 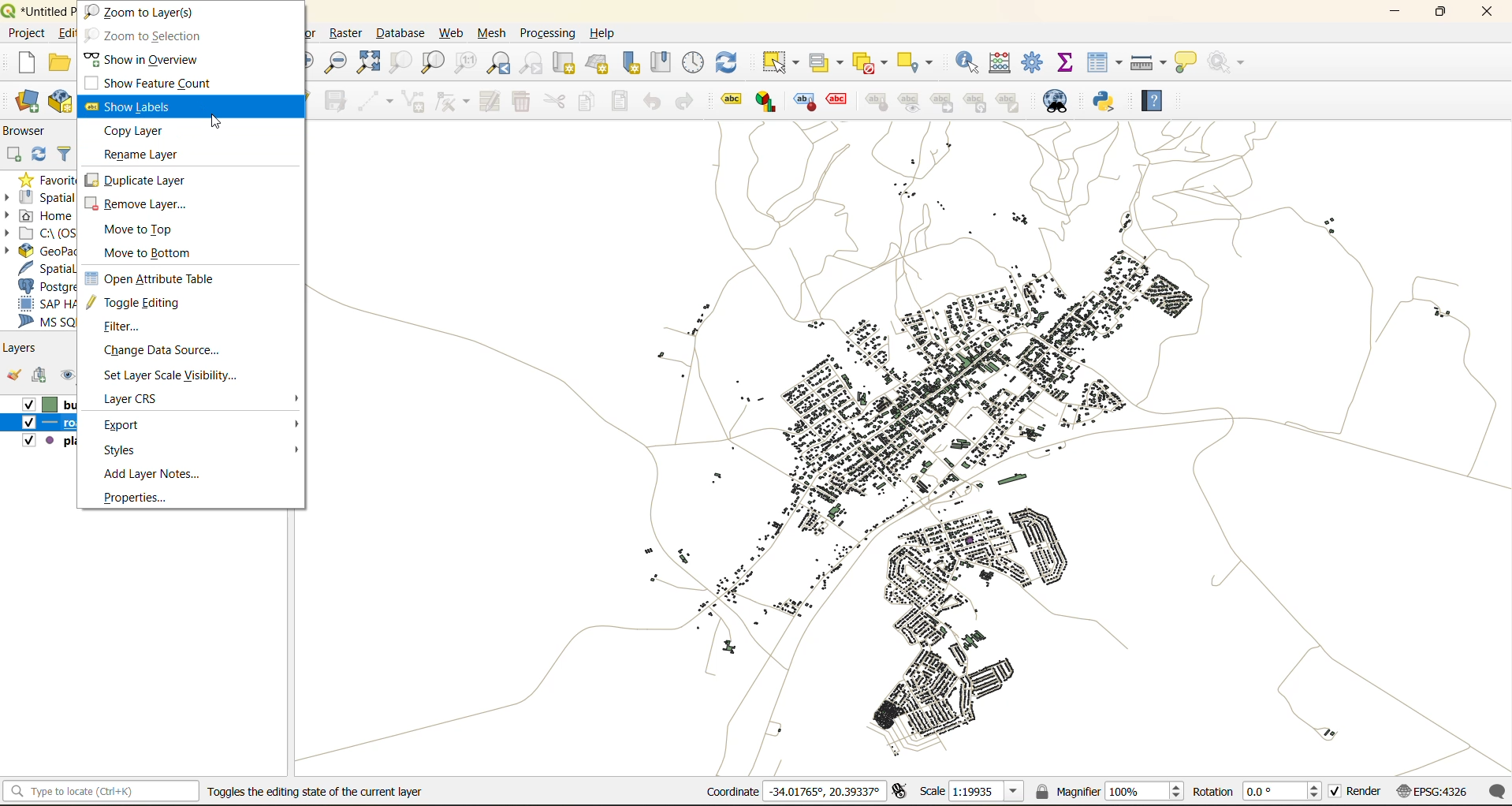 What do you see at coordinates (402, 63) in the screenshot?
I see `zoom selection` at bounding box center [402, 63].